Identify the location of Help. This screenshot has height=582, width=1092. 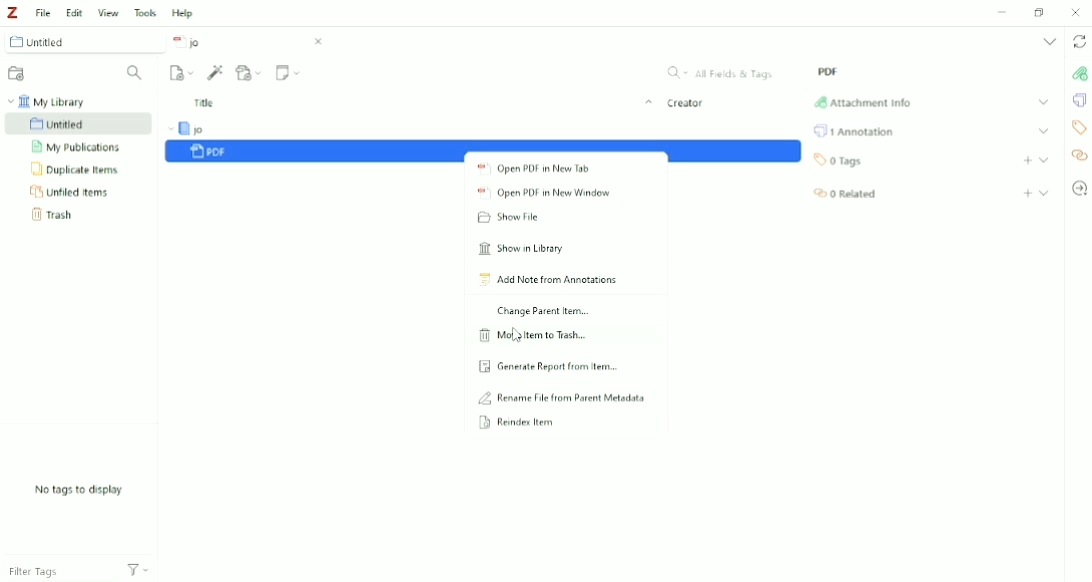
(185, 13).